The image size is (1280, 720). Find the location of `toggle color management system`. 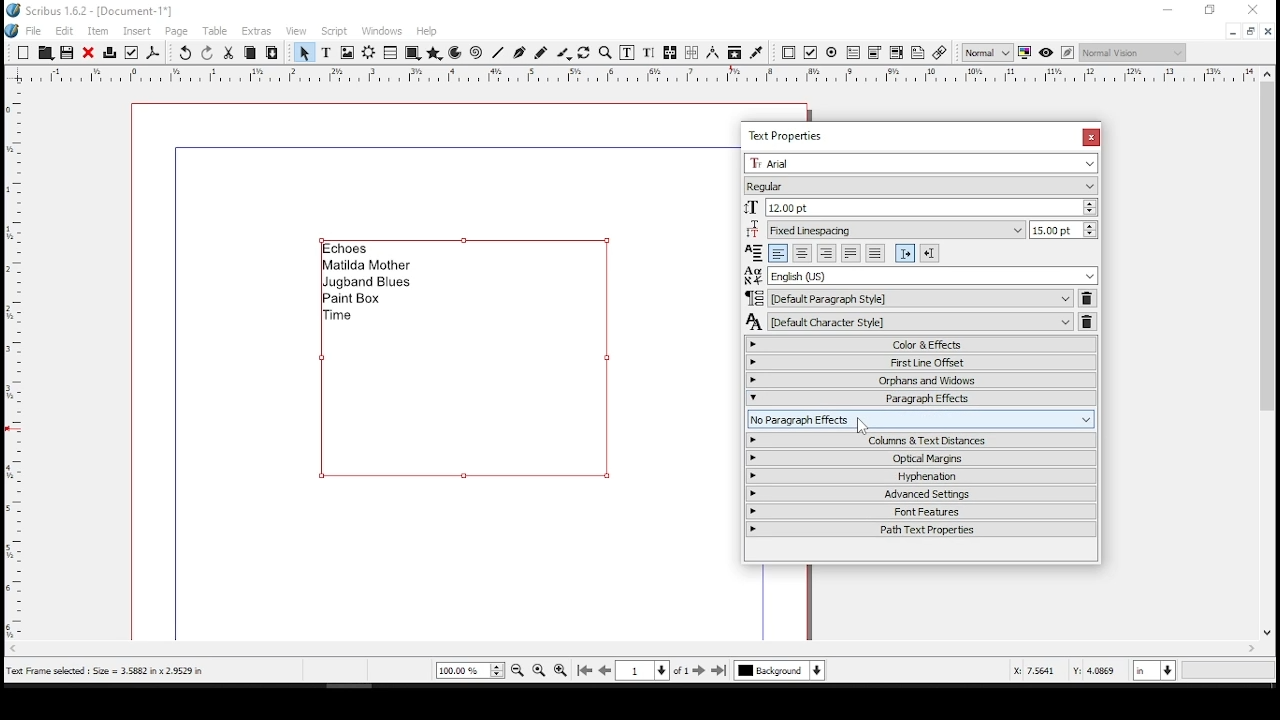

toggle color management system is located at coordinates (1024, 54).